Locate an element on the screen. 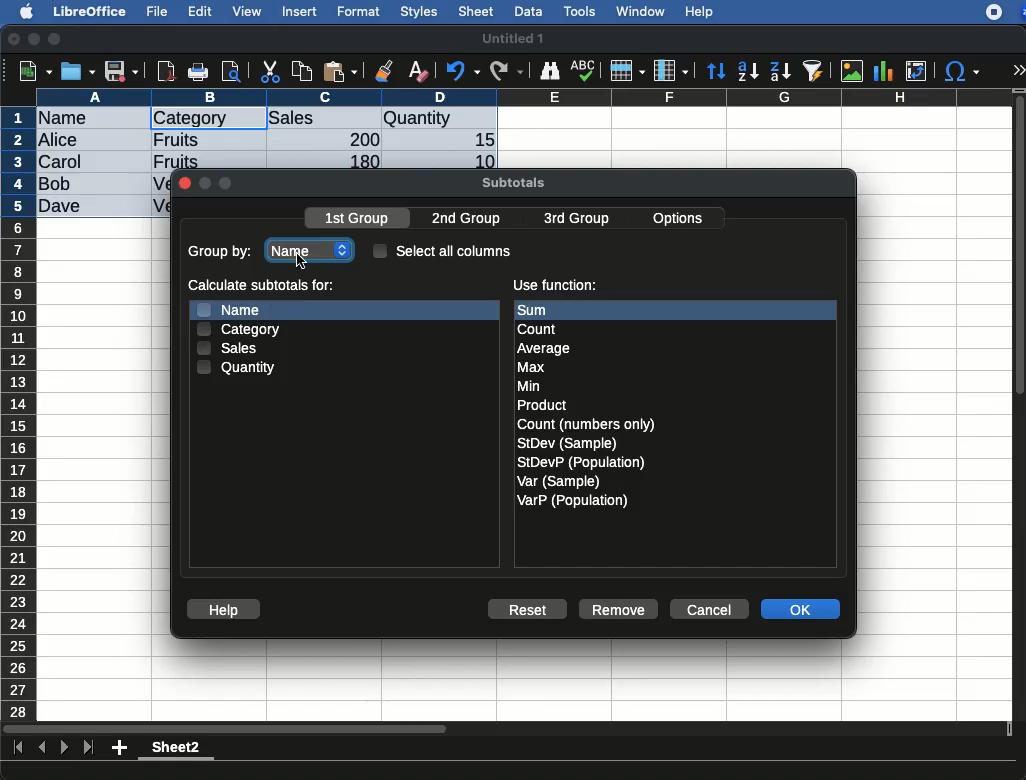 The height and width of the screenshot is (780, 1026). descending is located at coordinates (781, 72).